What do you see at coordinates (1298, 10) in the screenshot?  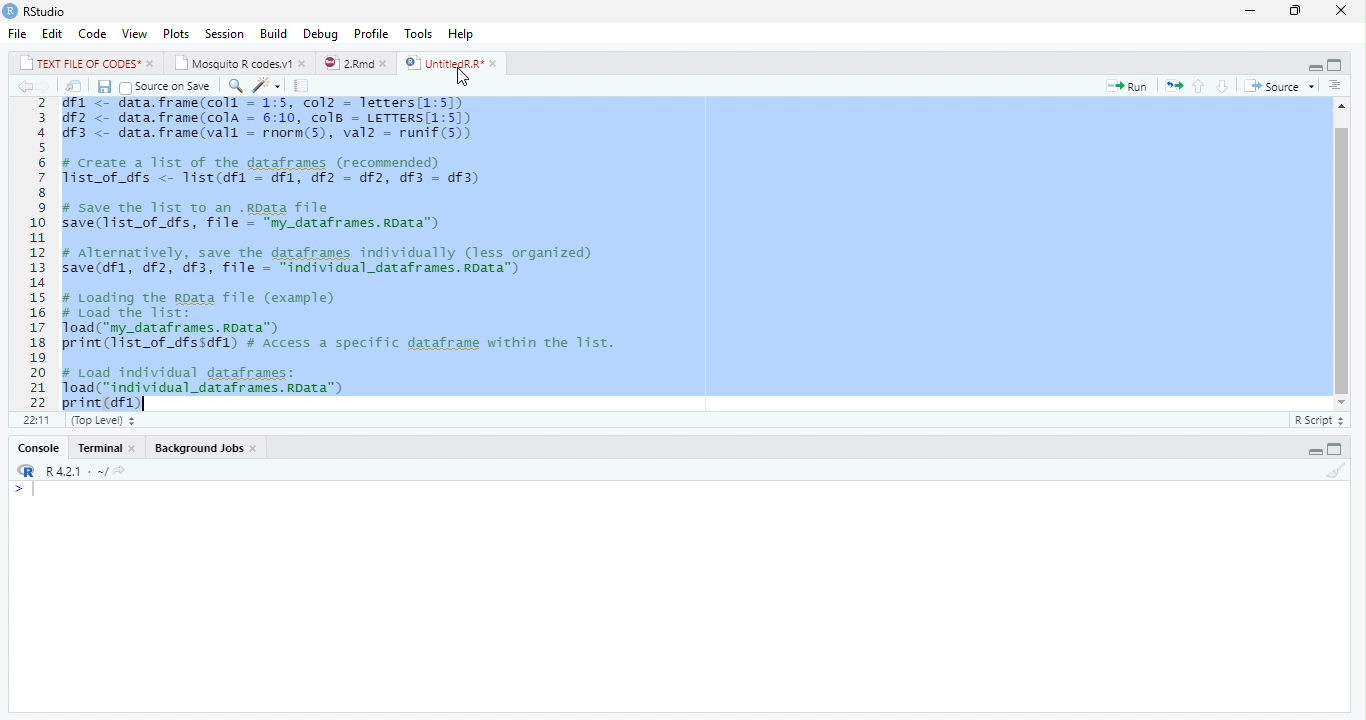 I see `Maximize` at bounding box center [1298, 10].